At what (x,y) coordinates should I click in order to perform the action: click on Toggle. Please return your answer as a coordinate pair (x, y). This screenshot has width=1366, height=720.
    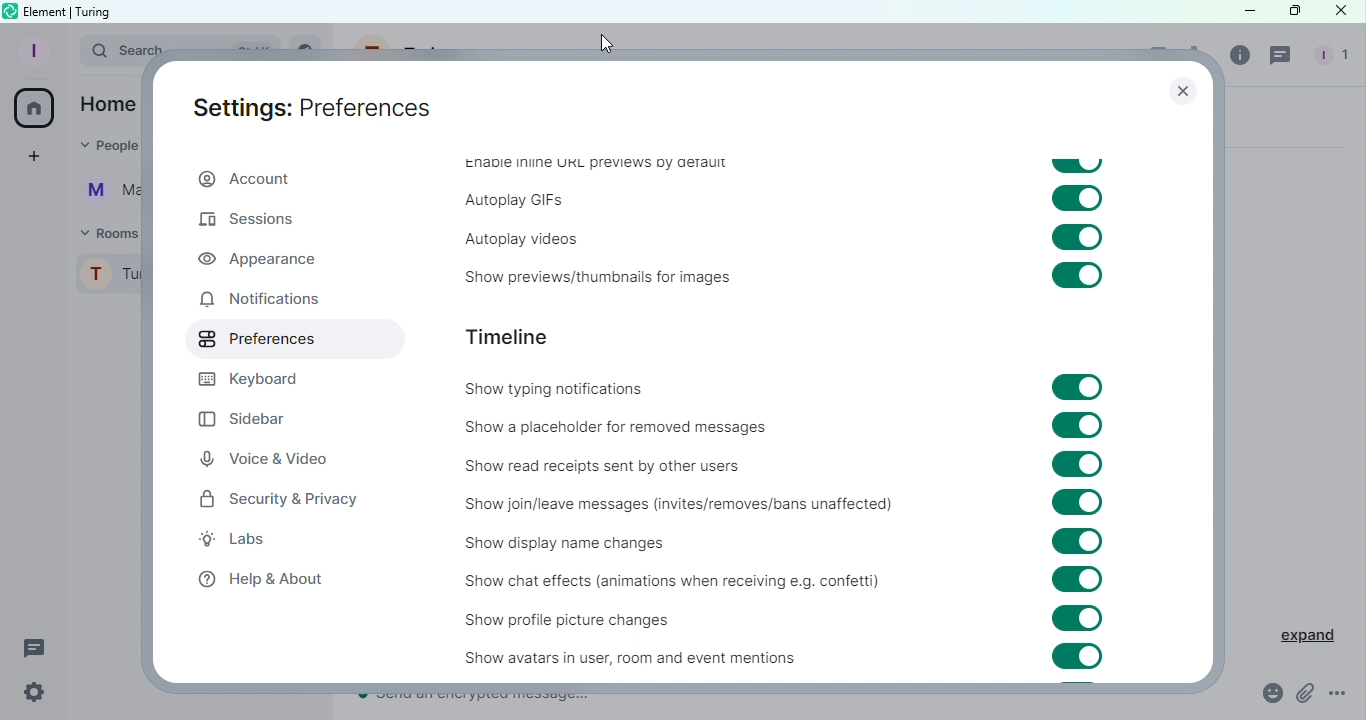
    Looking at the image, I should click on (1077, 199).